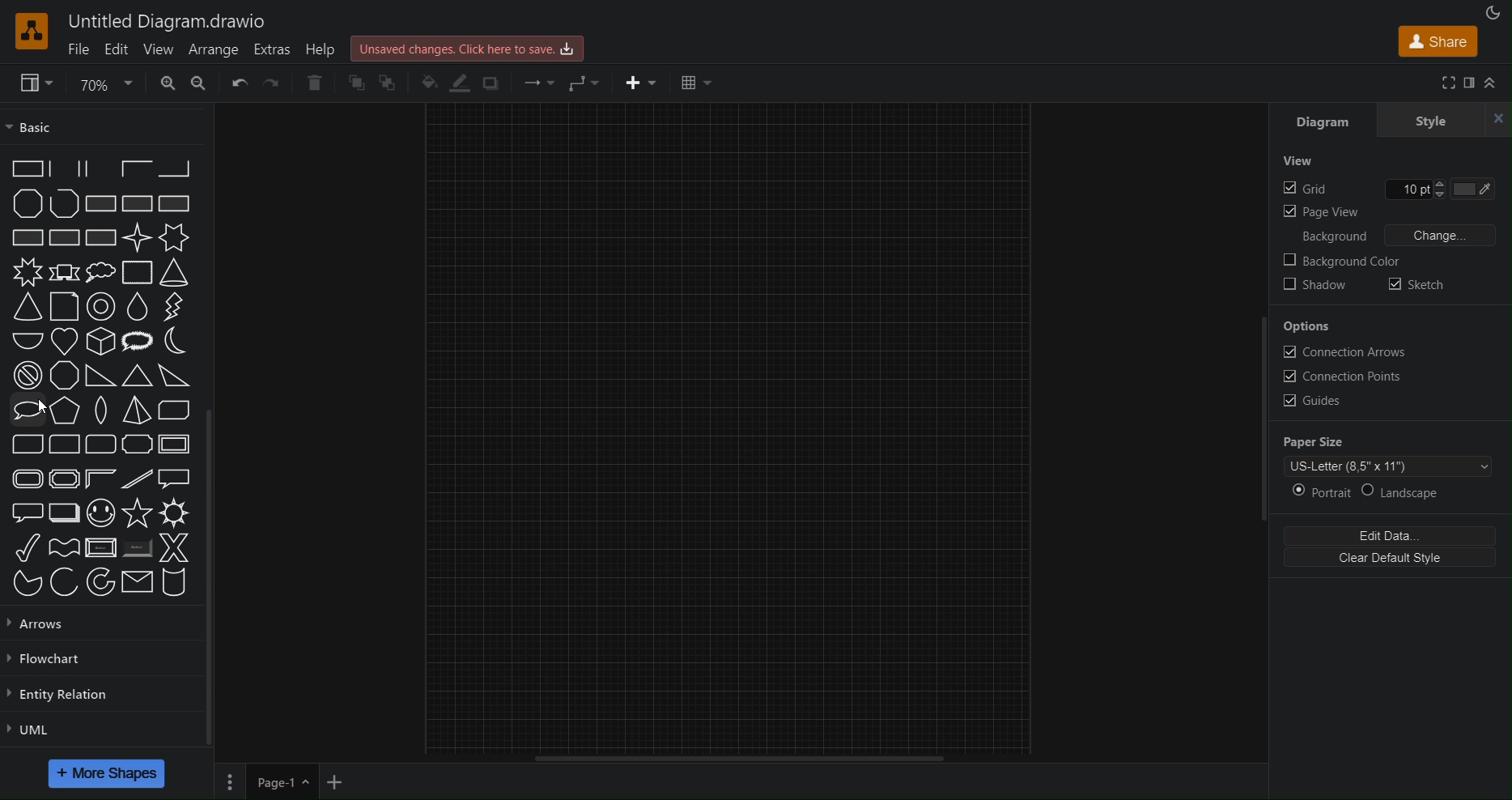 The height and width of the screenshot is (800, 1512). What do you see at coordinates (100, 341) in the screenshot?
I see `Isometric Cube` at bounding box center [100, 341].